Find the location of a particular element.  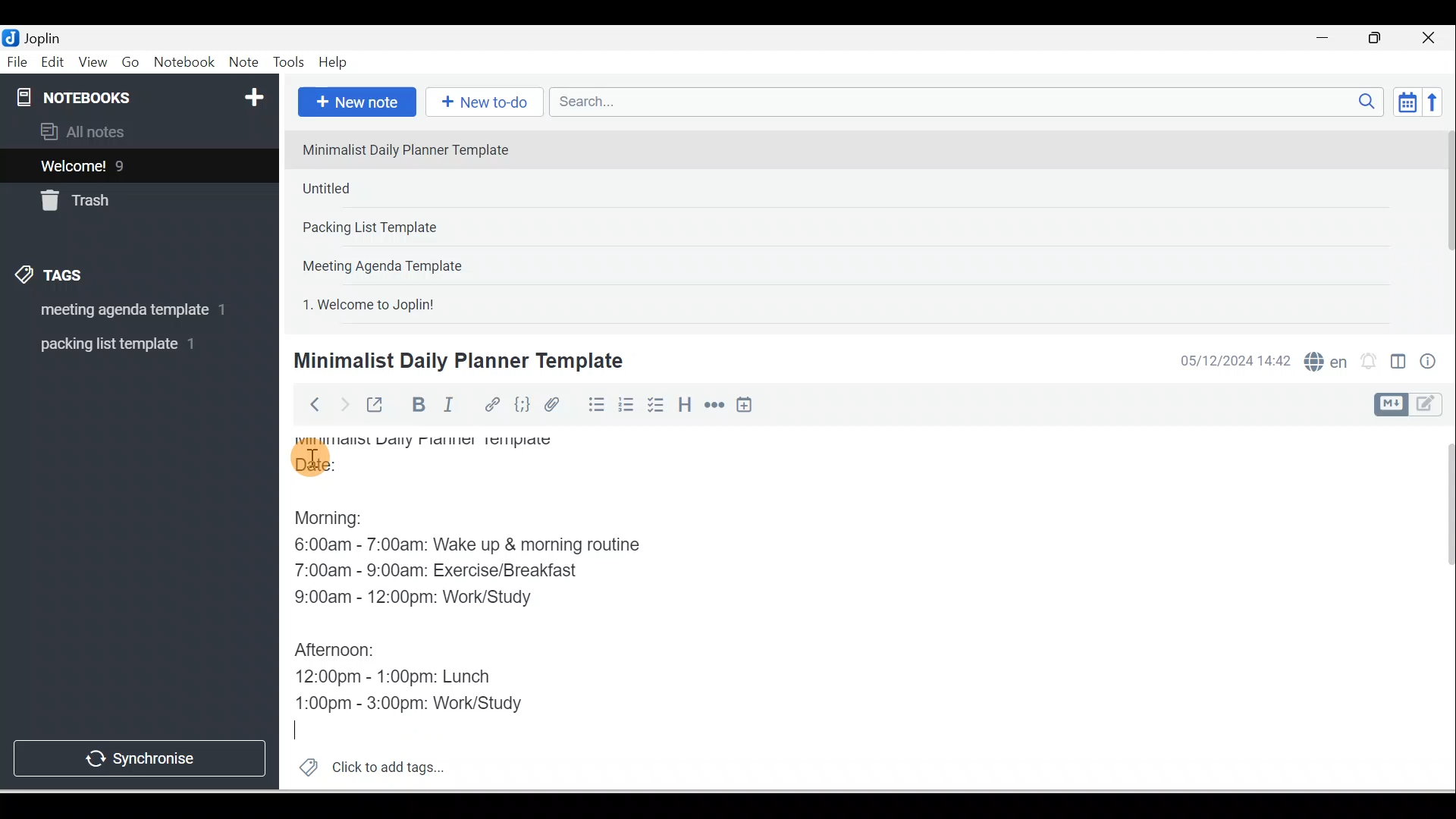

Date: is located at coordinates (357, 469).